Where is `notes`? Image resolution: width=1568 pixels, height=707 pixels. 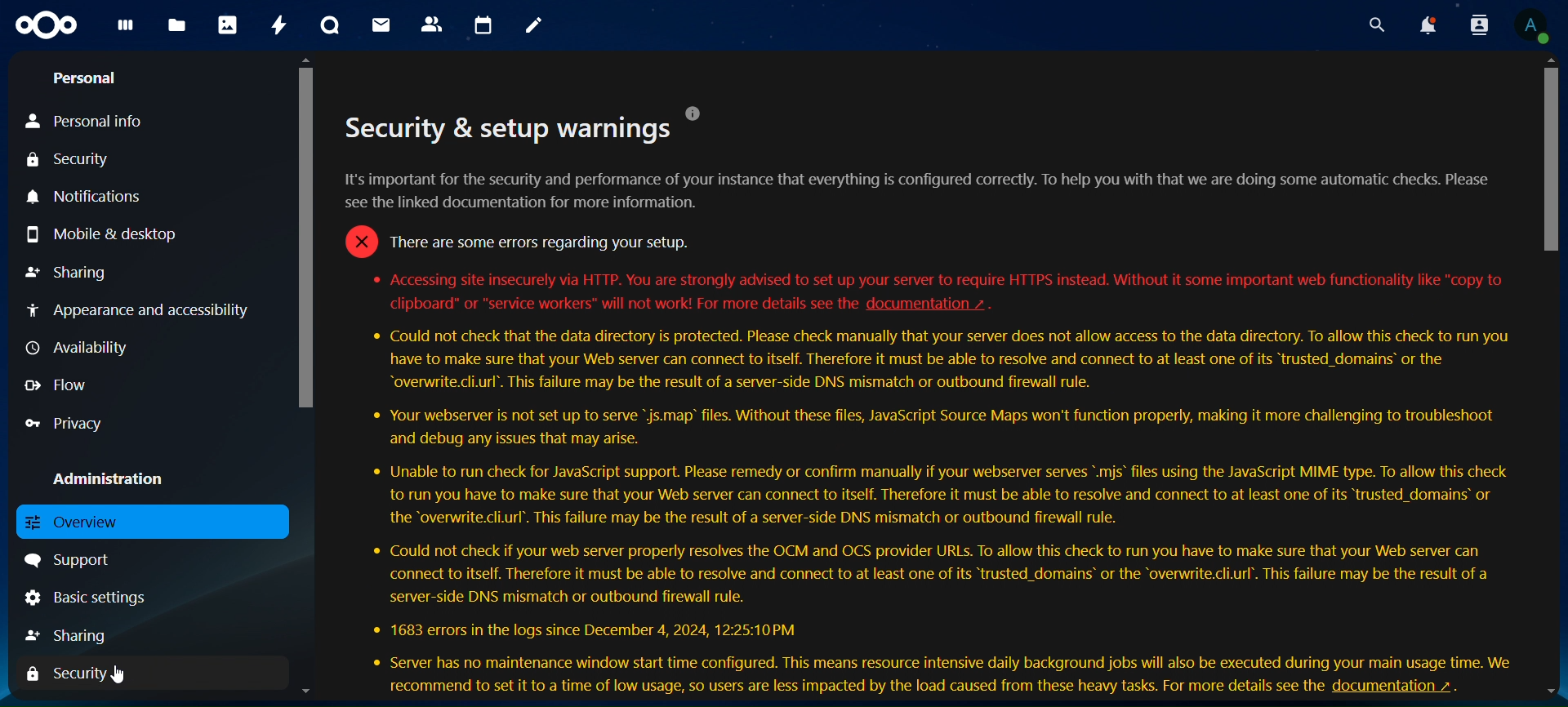
notes is located at coordinates (529, 23).